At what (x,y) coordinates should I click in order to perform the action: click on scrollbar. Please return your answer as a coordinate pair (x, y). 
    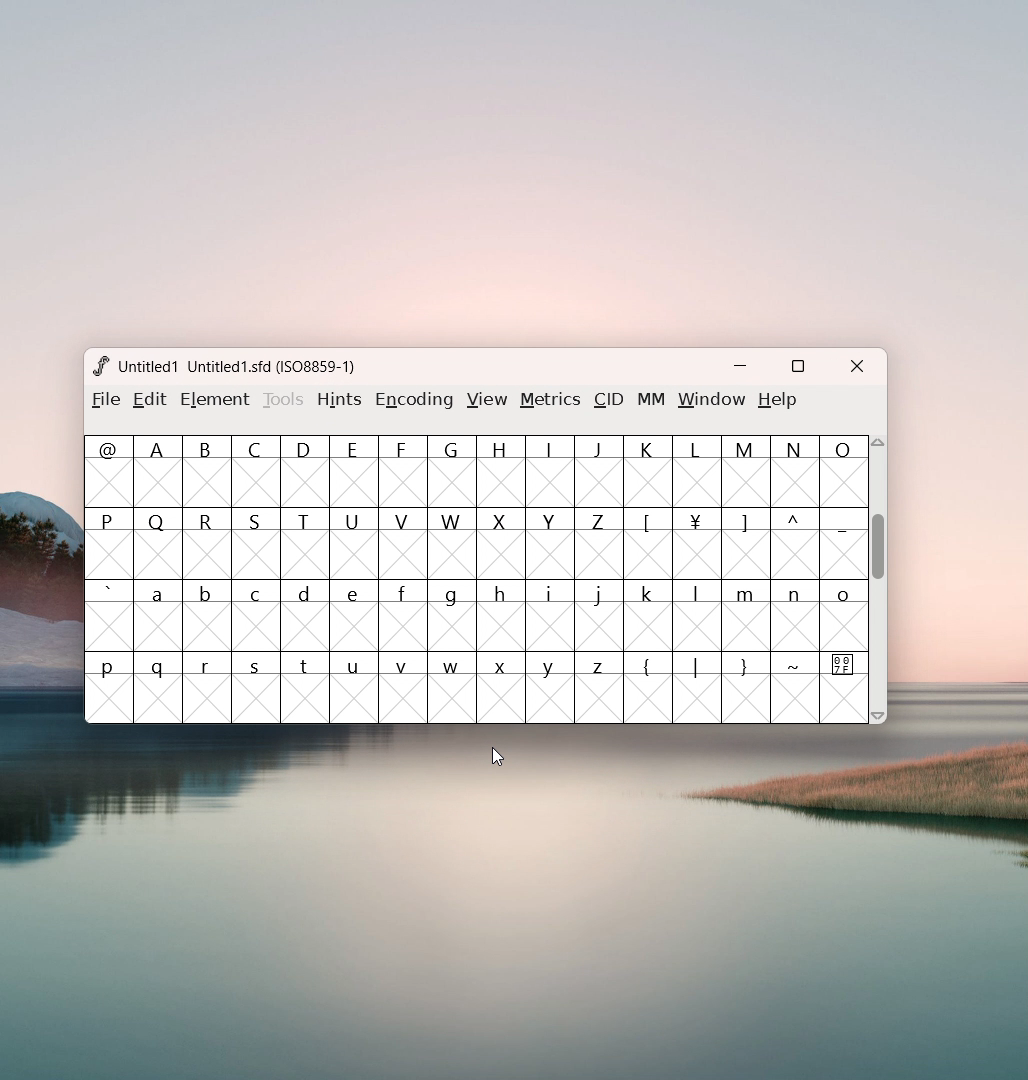
    Looking at the image, I should click on (878, 547).